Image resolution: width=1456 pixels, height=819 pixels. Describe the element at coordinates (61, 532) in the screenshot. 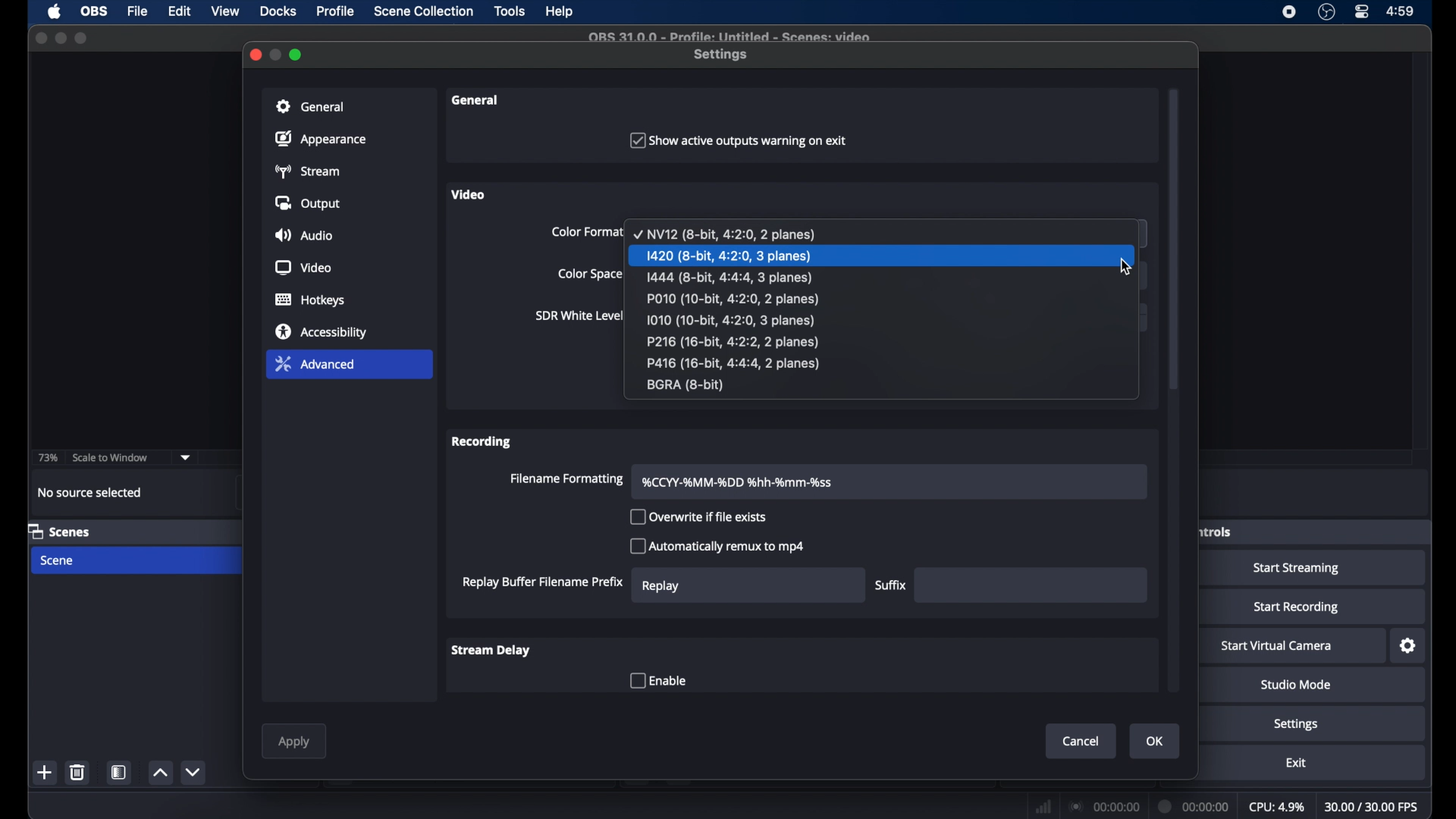

I see `scenes` at that location.